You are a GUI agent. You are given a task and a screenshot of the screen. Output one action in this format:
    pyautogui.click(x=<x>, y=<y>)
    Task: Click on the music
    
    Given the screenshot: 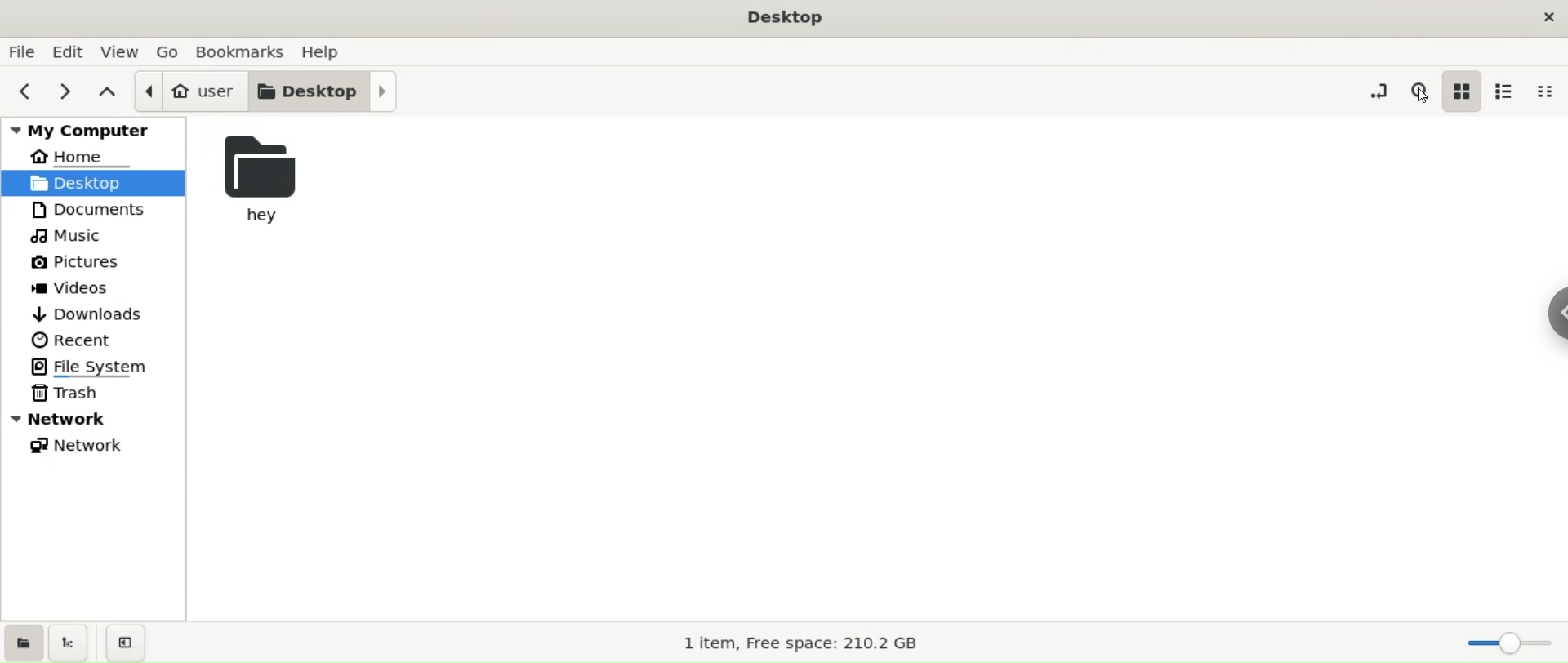 What is the action you would take?
    pyautogui.click(x=93, y=234)
    